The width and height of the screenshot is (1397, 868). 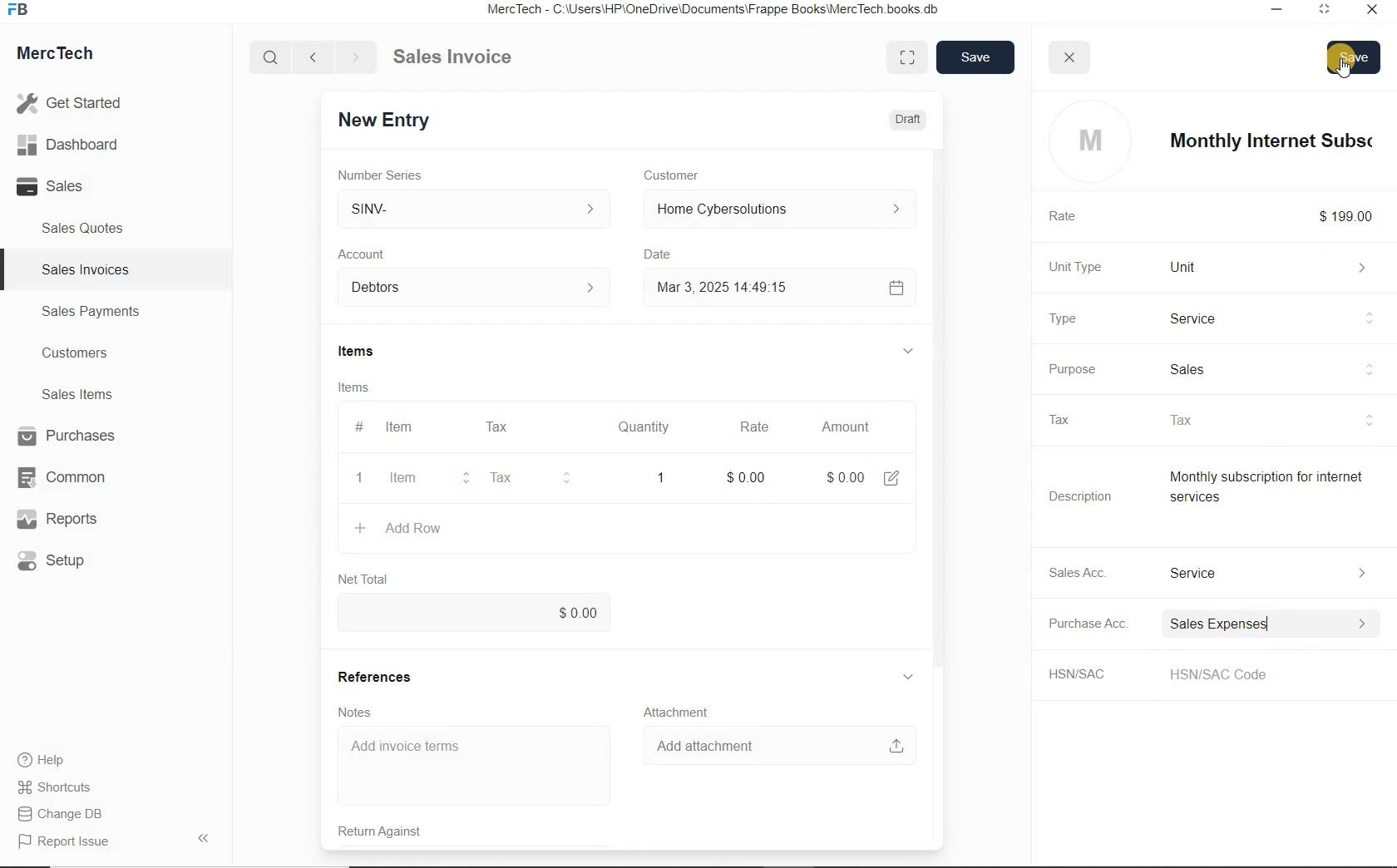 I want to click on Maximum, so click(x=1315, y=12).